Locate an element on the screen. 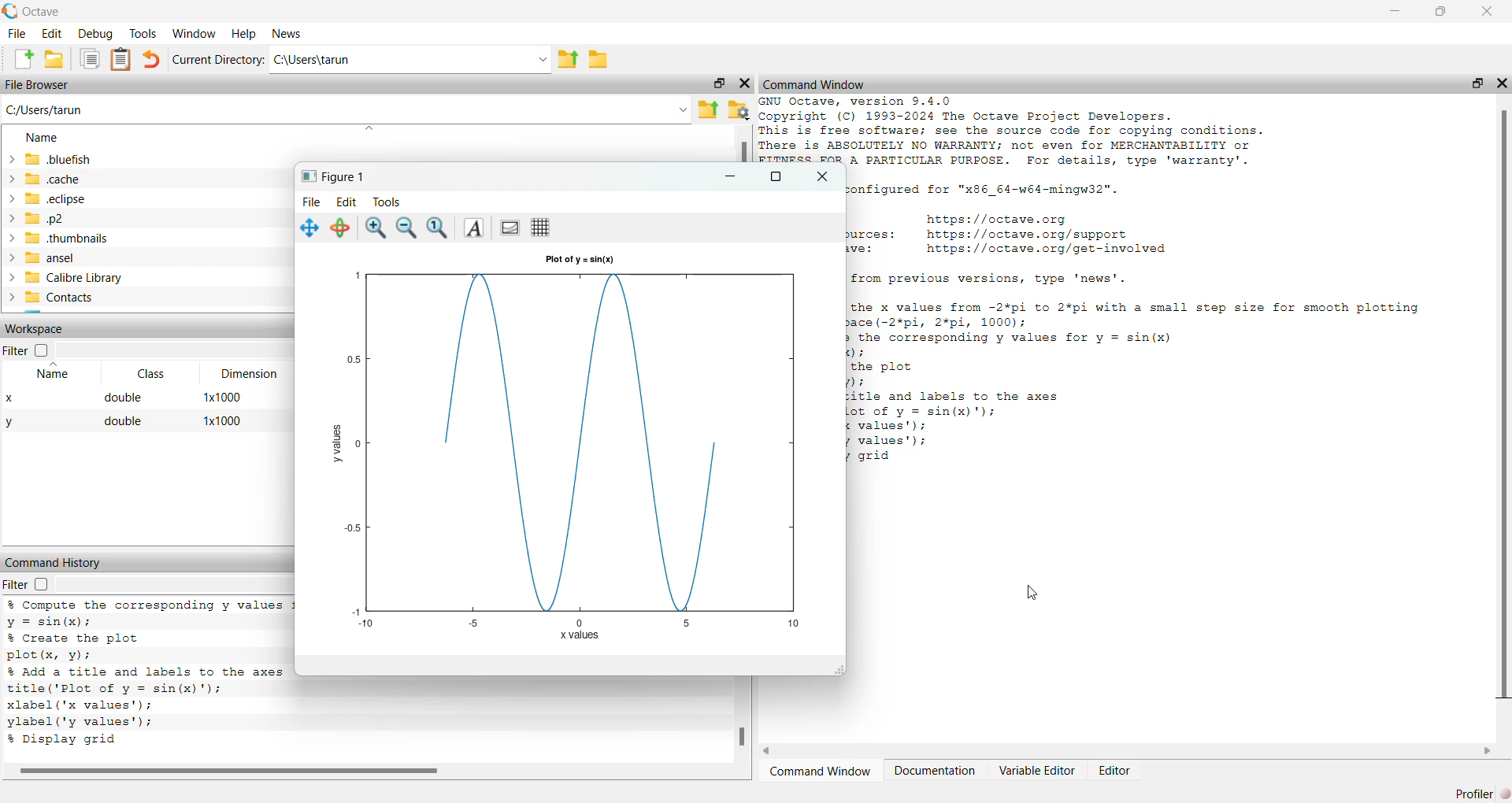 The width and height of the screenshot is (1512, 803). scroll bar is located at coordinates (1503, 405).